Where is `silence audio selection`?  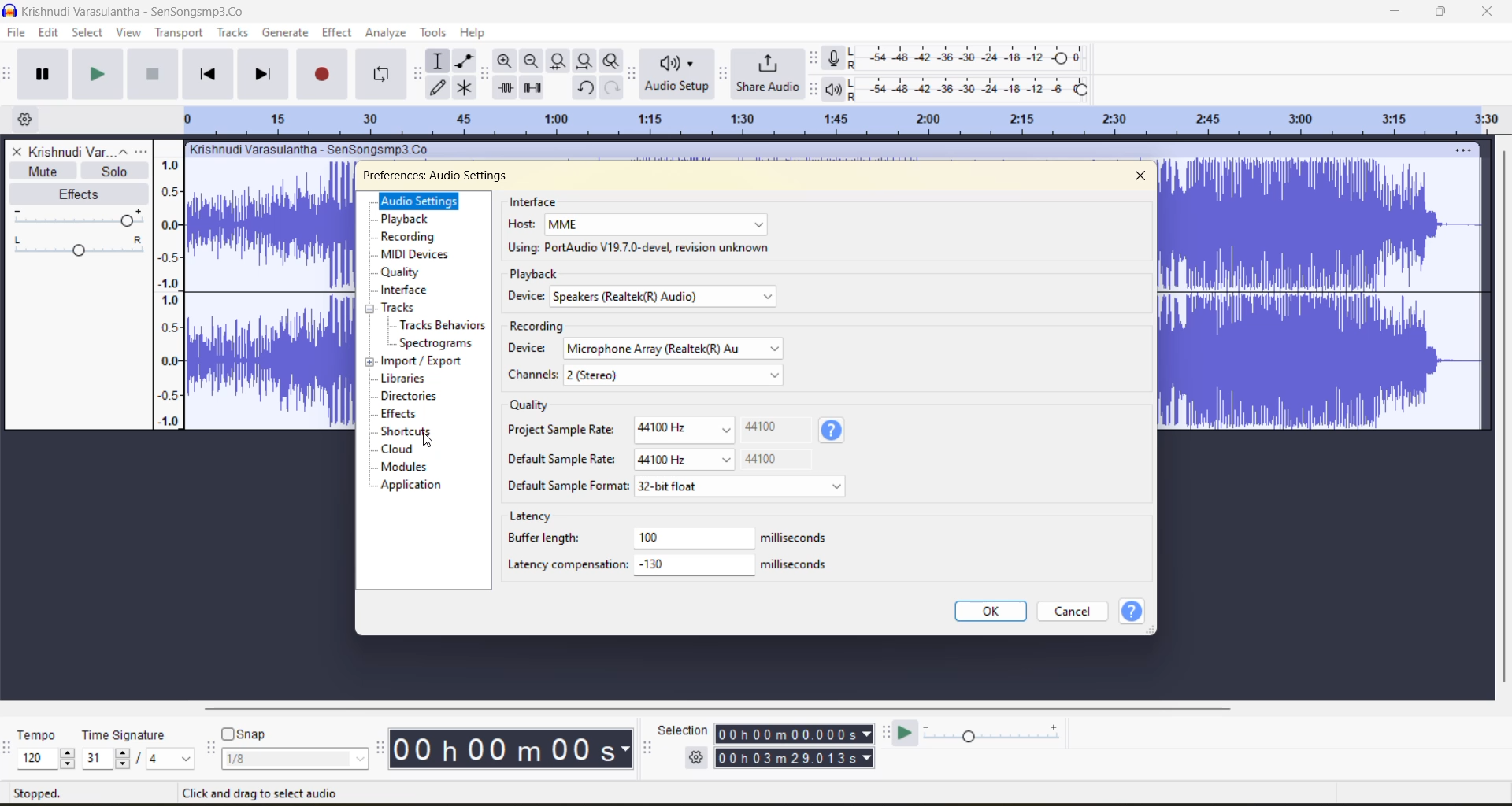 silence audio selection is located at coordinates (535, 88).